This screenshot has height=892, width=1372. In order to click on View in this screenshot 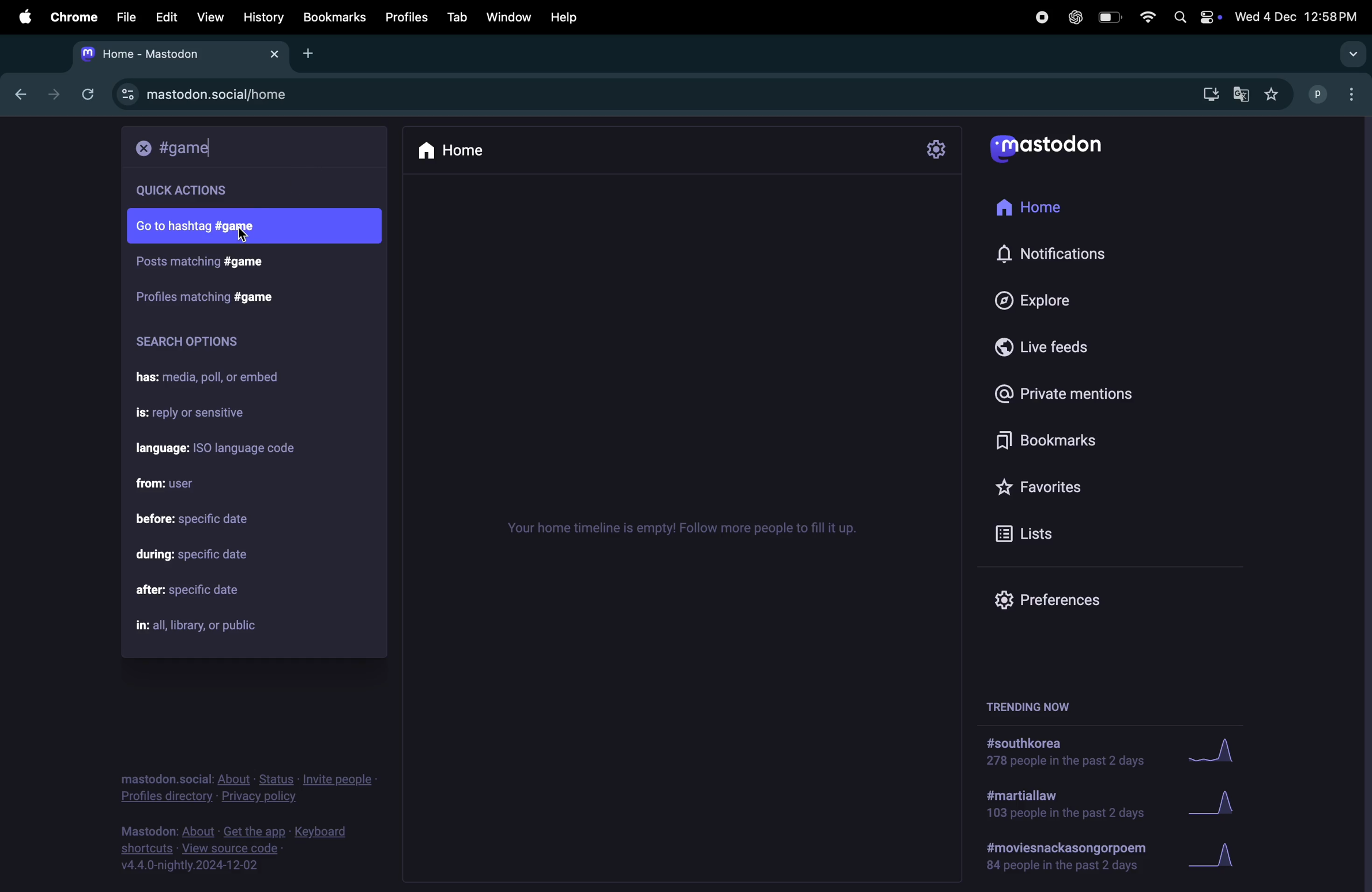, I will do `click(210, 16)`.